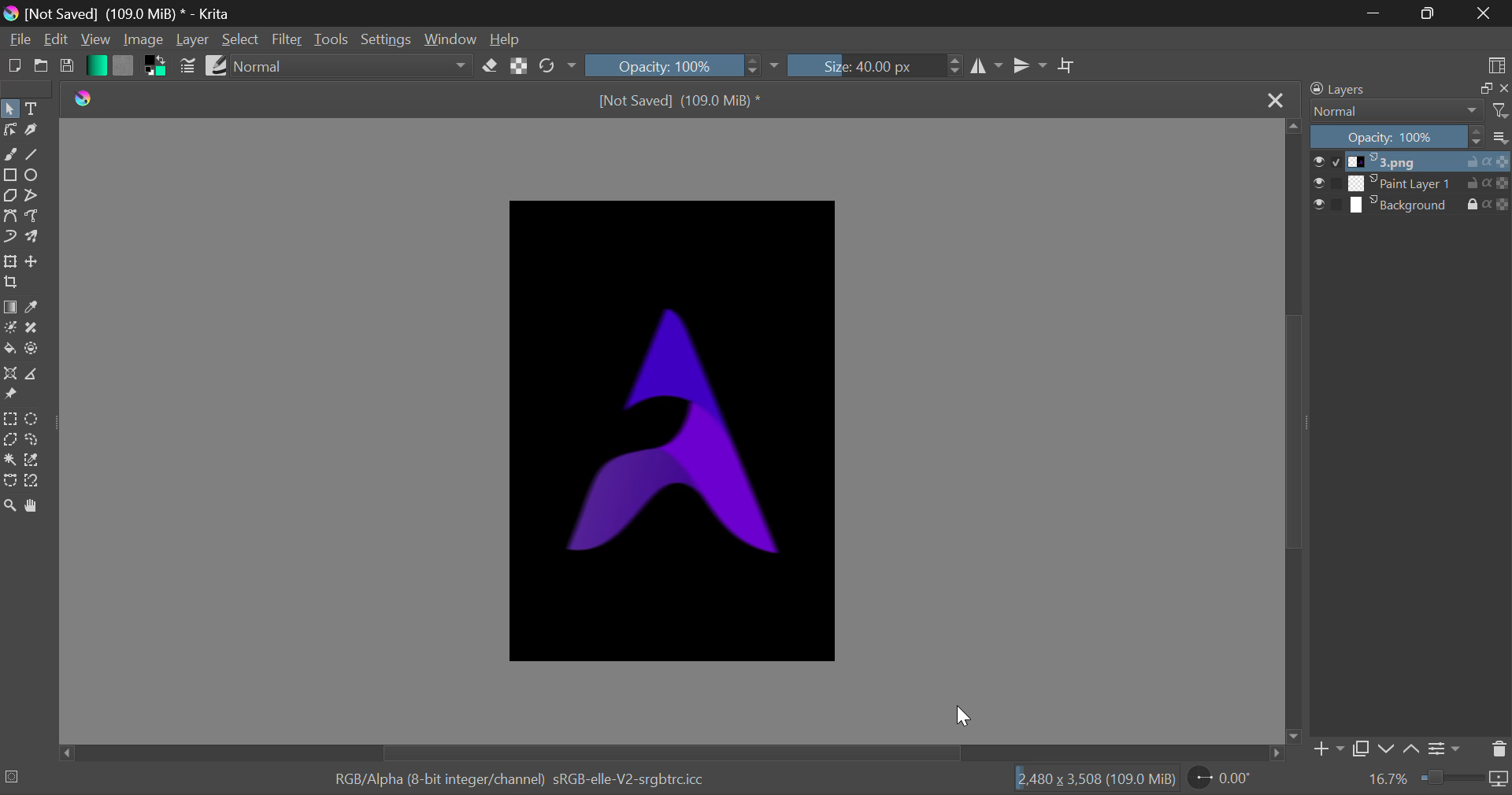  What do you see at coordinates (1277, 102) in the screenshot?
I see `Close` at bounding box center [1277, 102].